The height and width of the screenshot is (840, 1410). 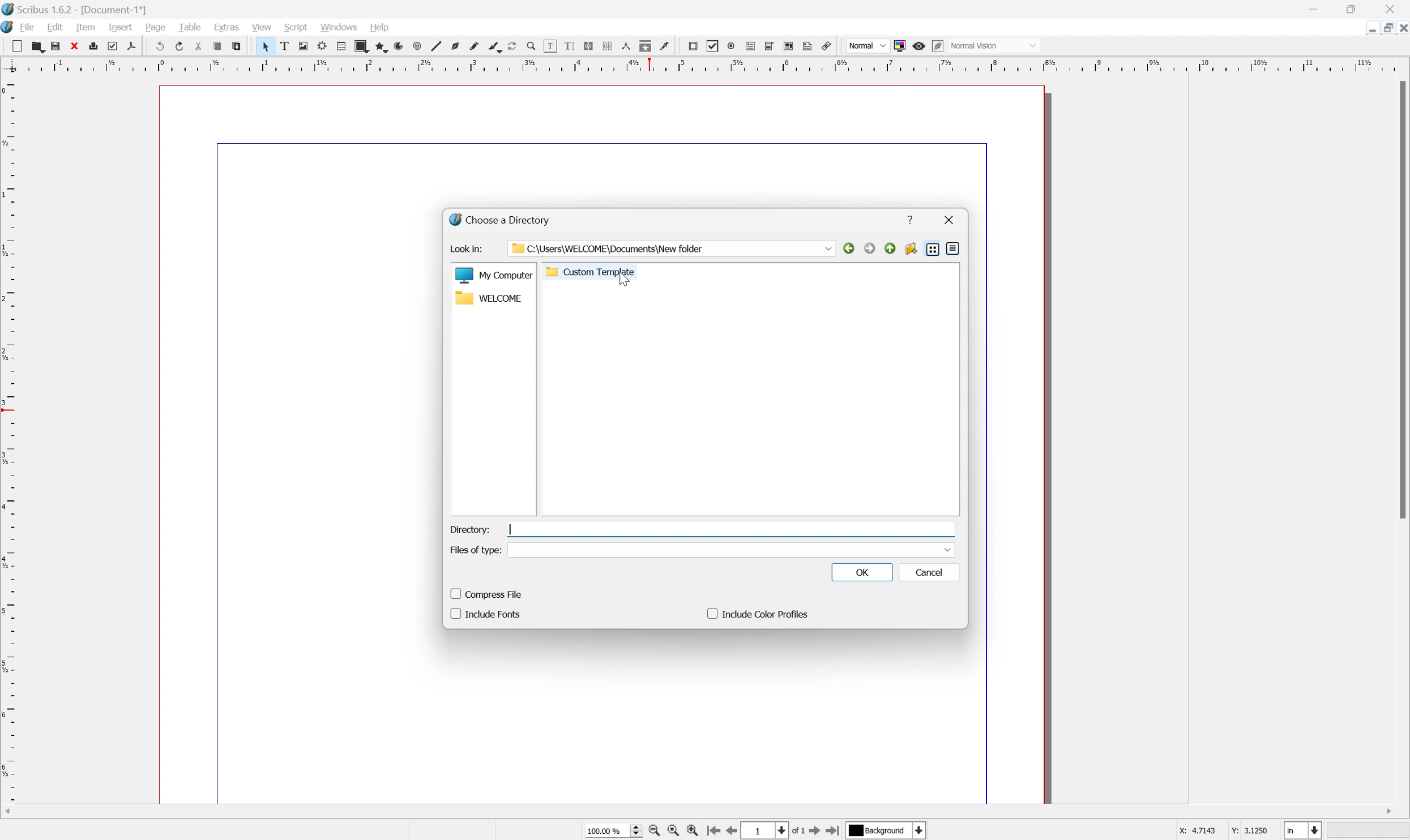 What do you see at coordinates (1401, 29) in the screenshot?
I see `Close` at bounding box center [1401, 29].